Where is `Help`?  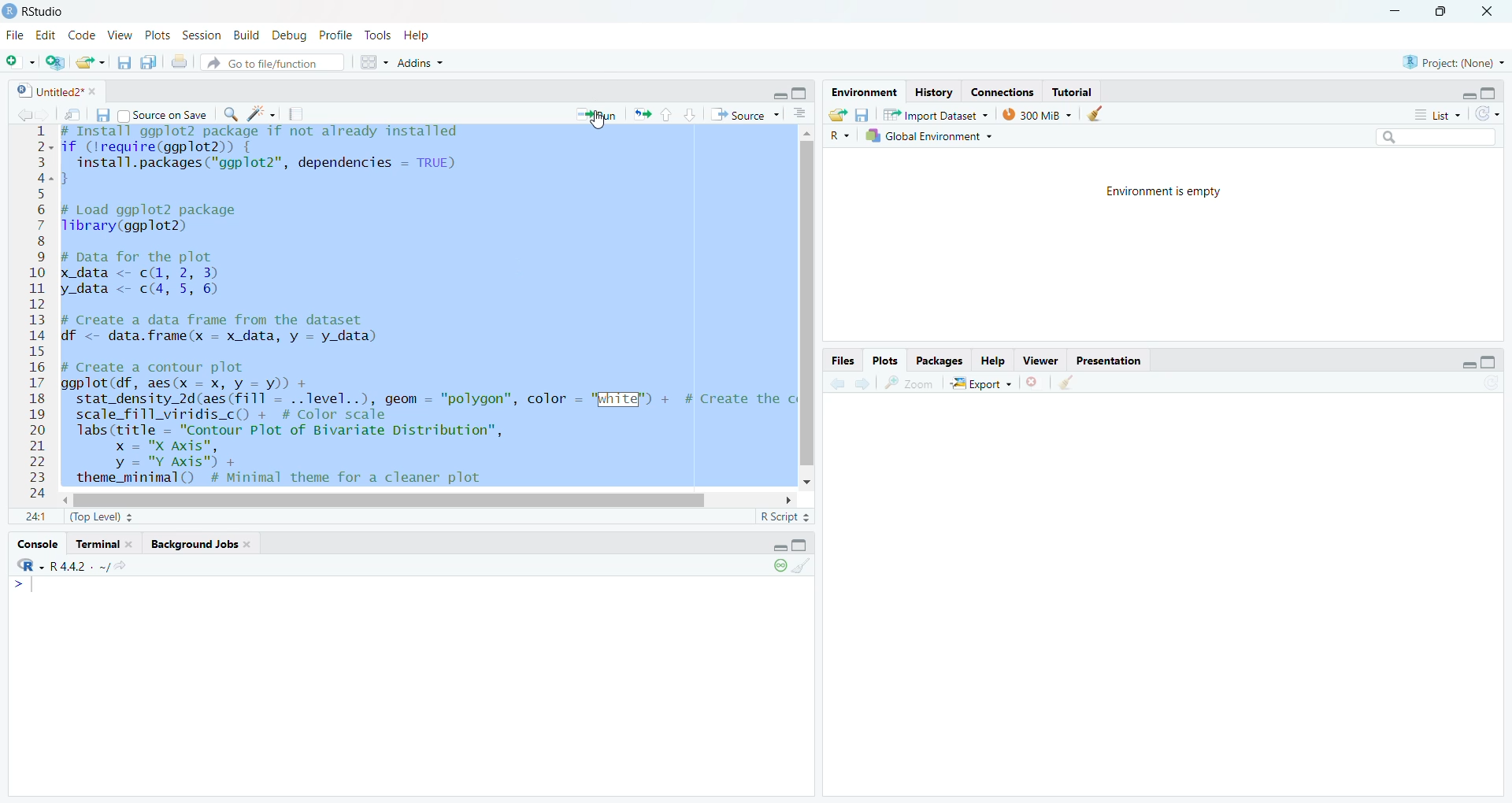 Help is located at coordinates (419, 37).